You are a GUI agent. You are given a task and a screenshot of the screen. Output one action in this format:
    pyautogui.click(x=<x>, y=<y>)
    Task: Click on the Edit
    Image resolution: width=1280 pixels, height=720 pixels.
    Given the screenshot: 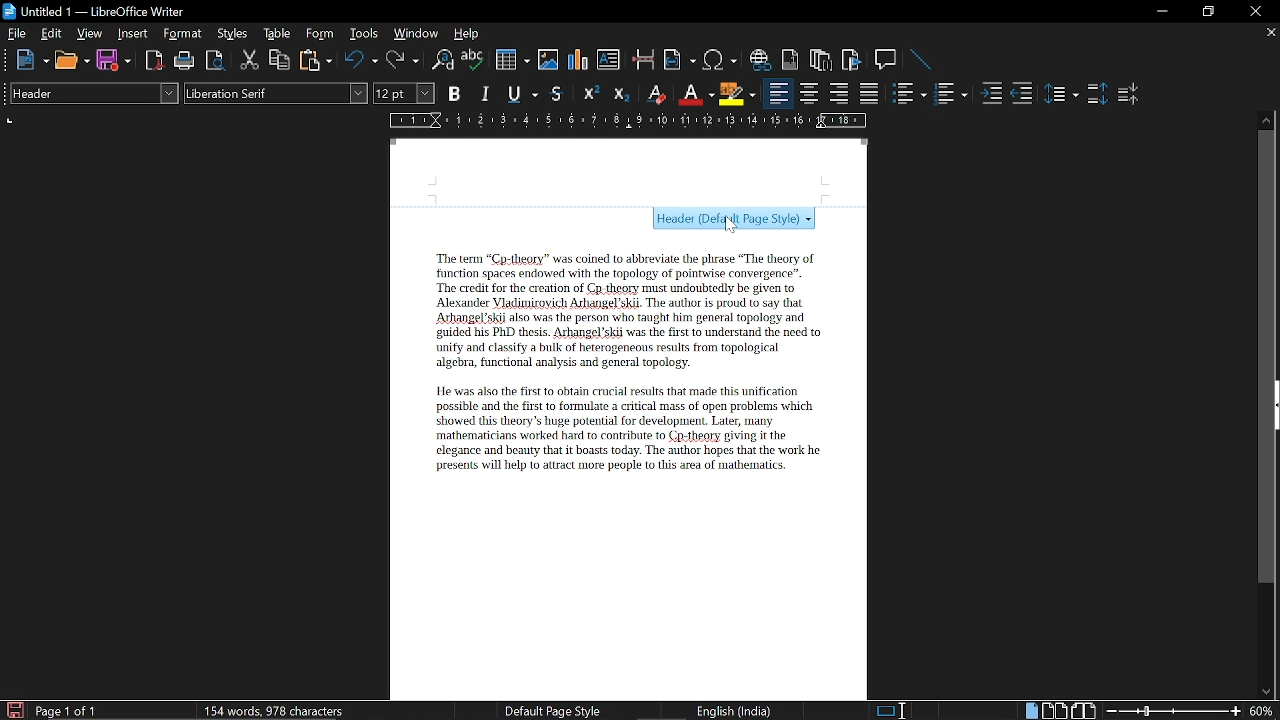 What is the action you would take?
    pyautogui.click(x=52, y=33)
    